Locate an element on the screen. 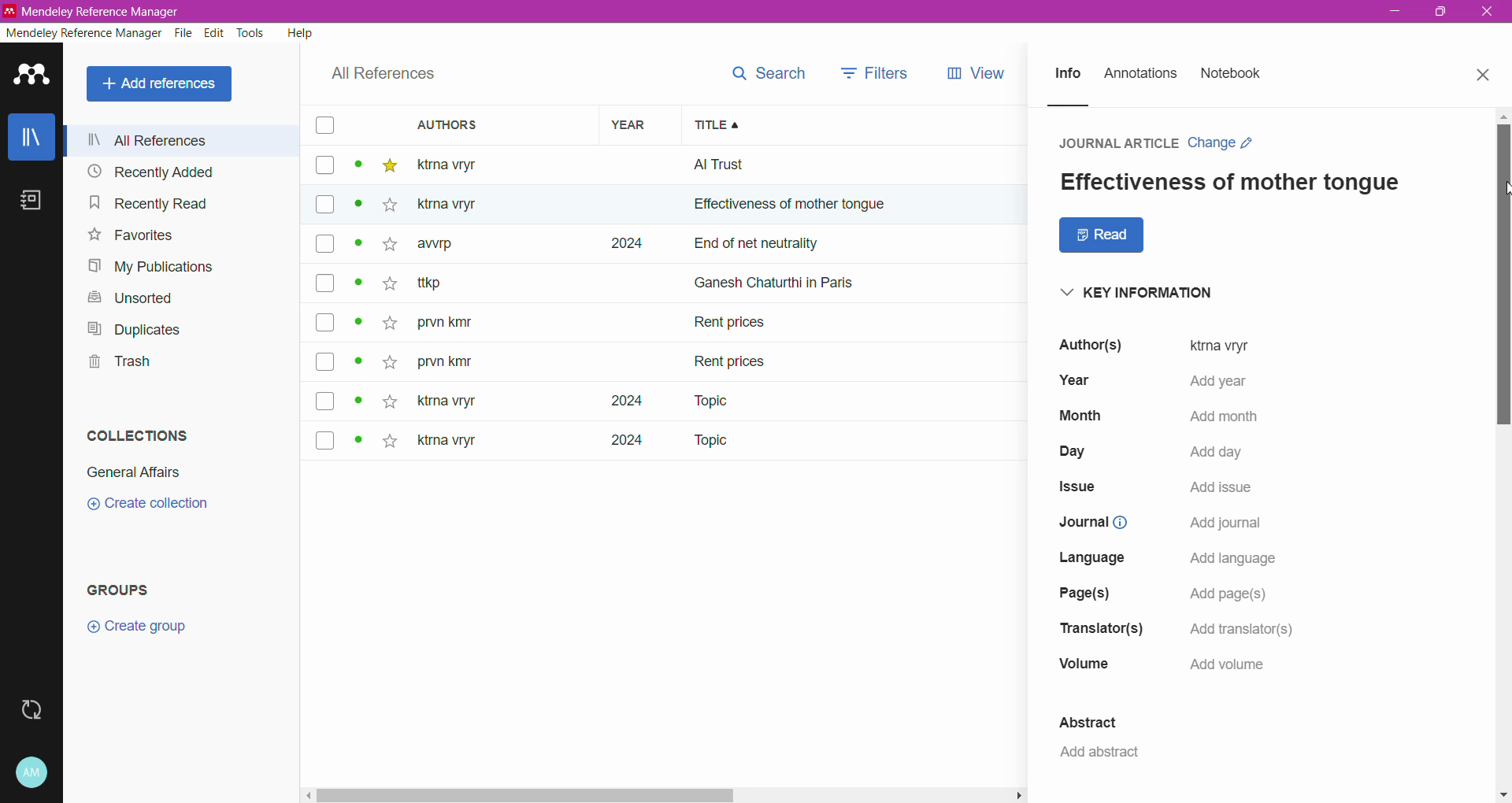 Image resolution: width=1512 pixels, height=803 pixels. Tools is located at coordinates (252, 33).